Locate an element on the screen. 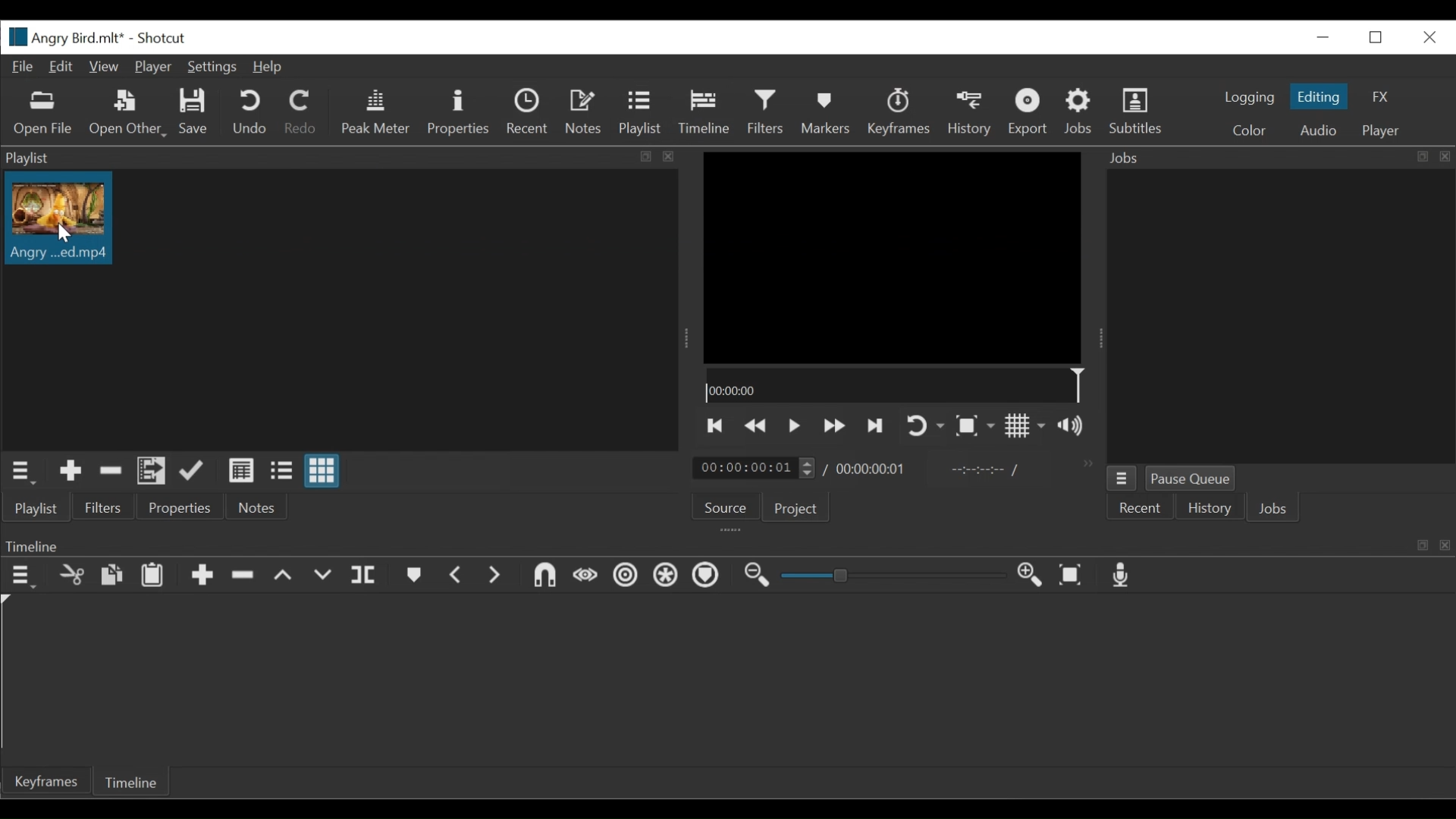 This screenshot has width=1456, height=819. Play quickly backward is located at coordinates (758, 426).